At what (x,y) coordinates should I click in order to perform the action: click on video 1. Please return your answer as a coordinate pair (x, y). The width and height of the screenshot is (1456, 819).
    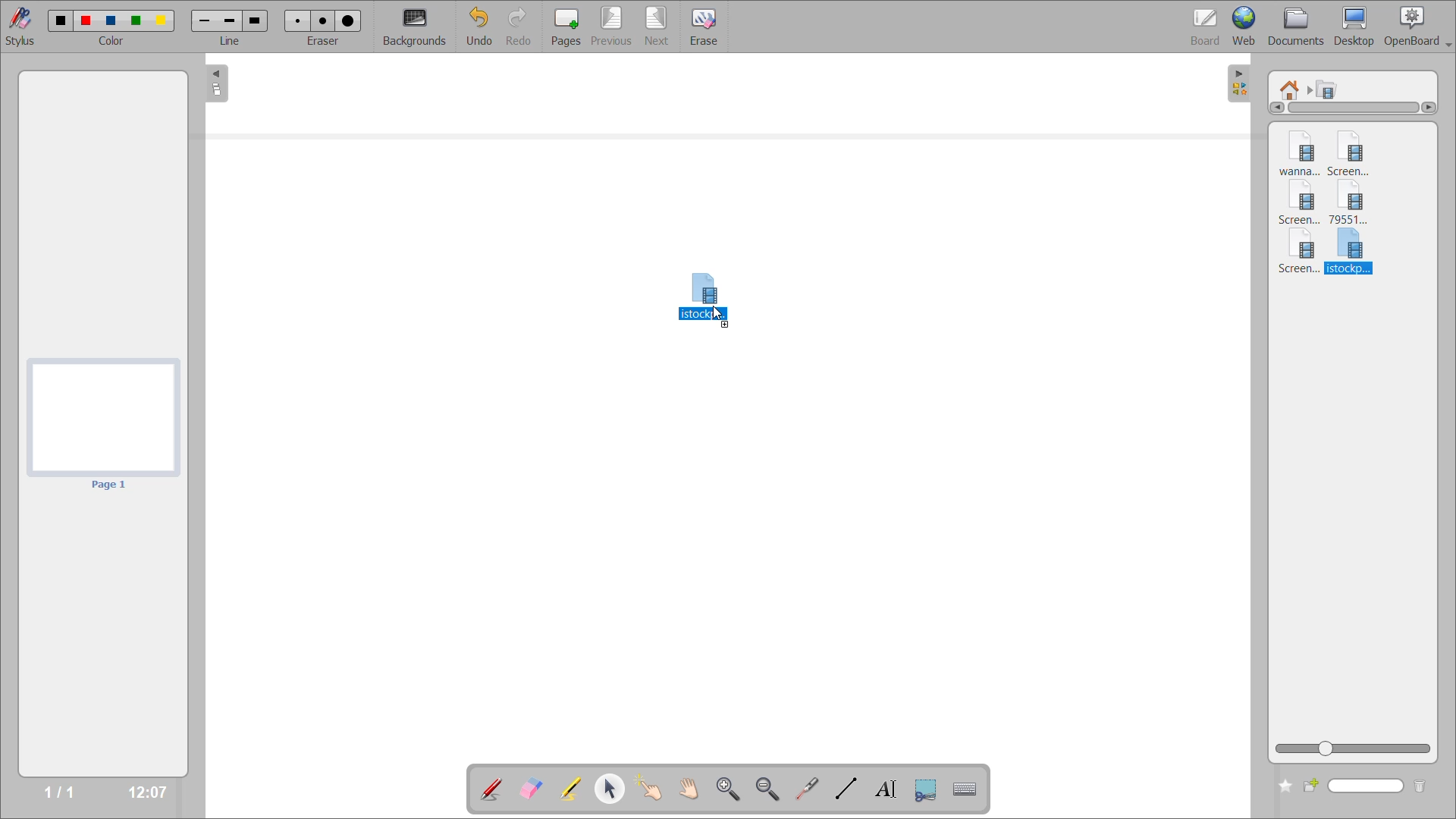
    Looking at the image, I should click on (1298, 150).